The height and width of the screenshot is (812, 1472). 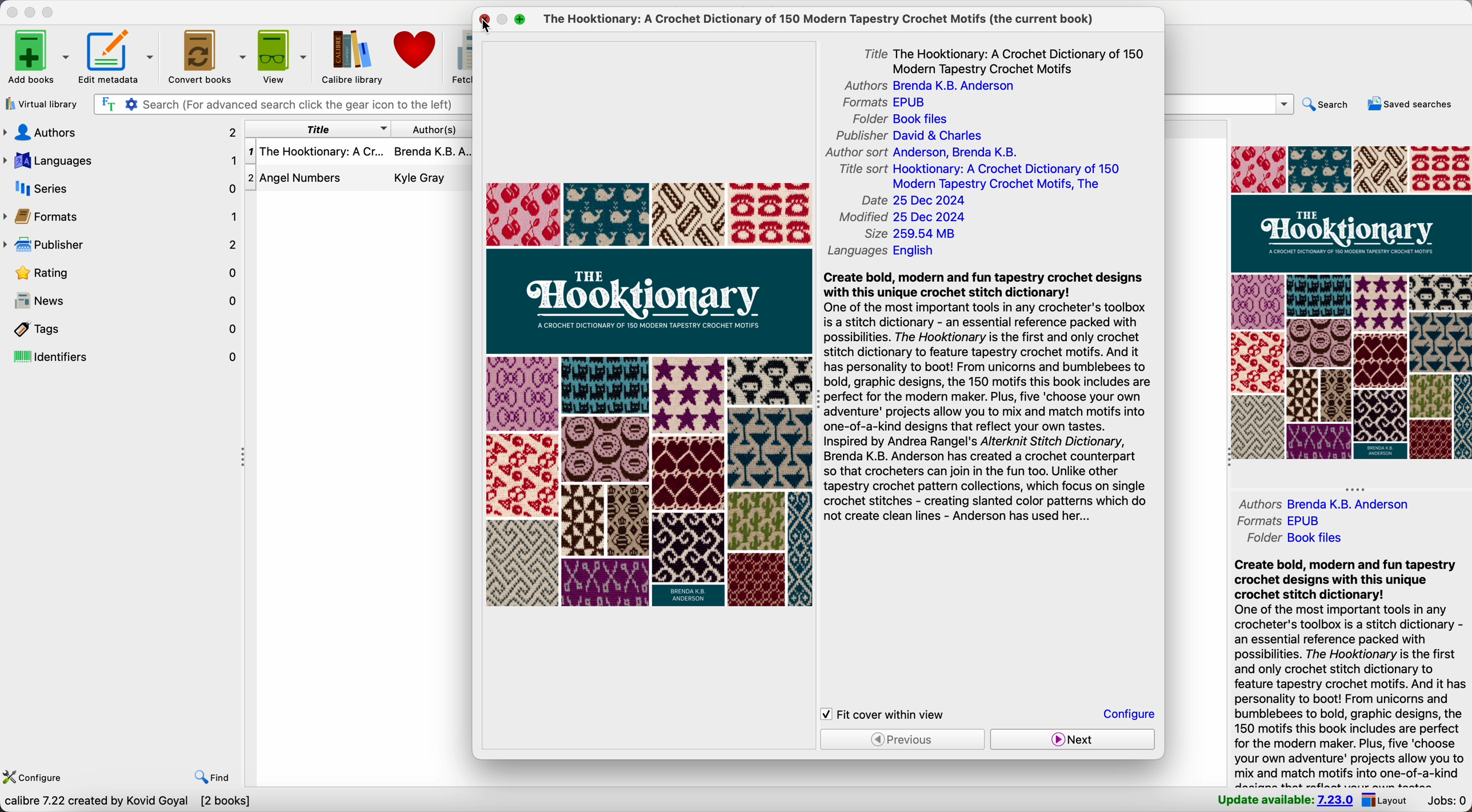 I want to click on languages, so click(x=884, y=253).